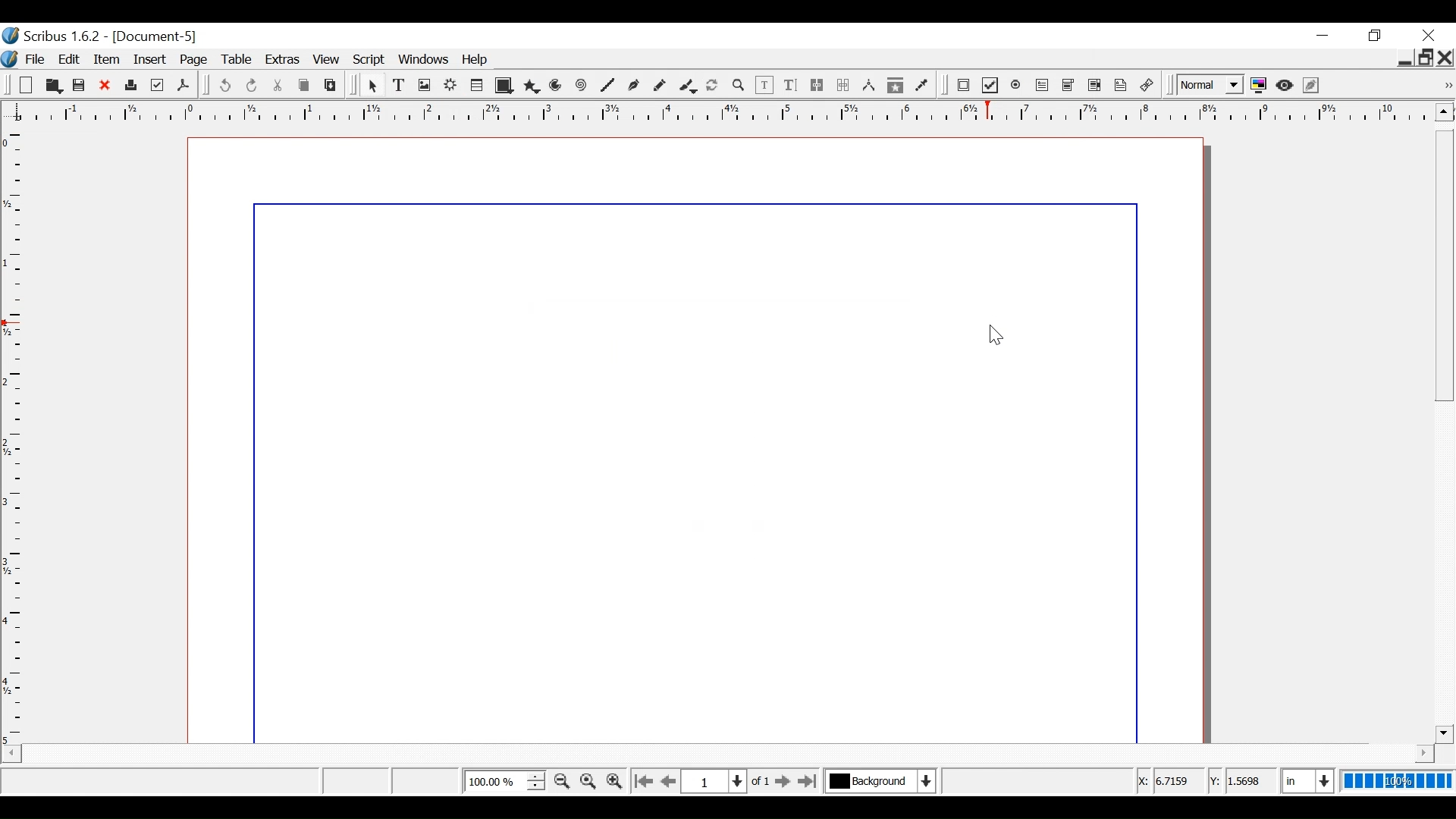 Image resolution: width=1456 pixels, height=819 pixels. What do you see at coordinates (1404, 753) in the screenshot?
I see `horizontal bar` at bounding box center [1404, 753].